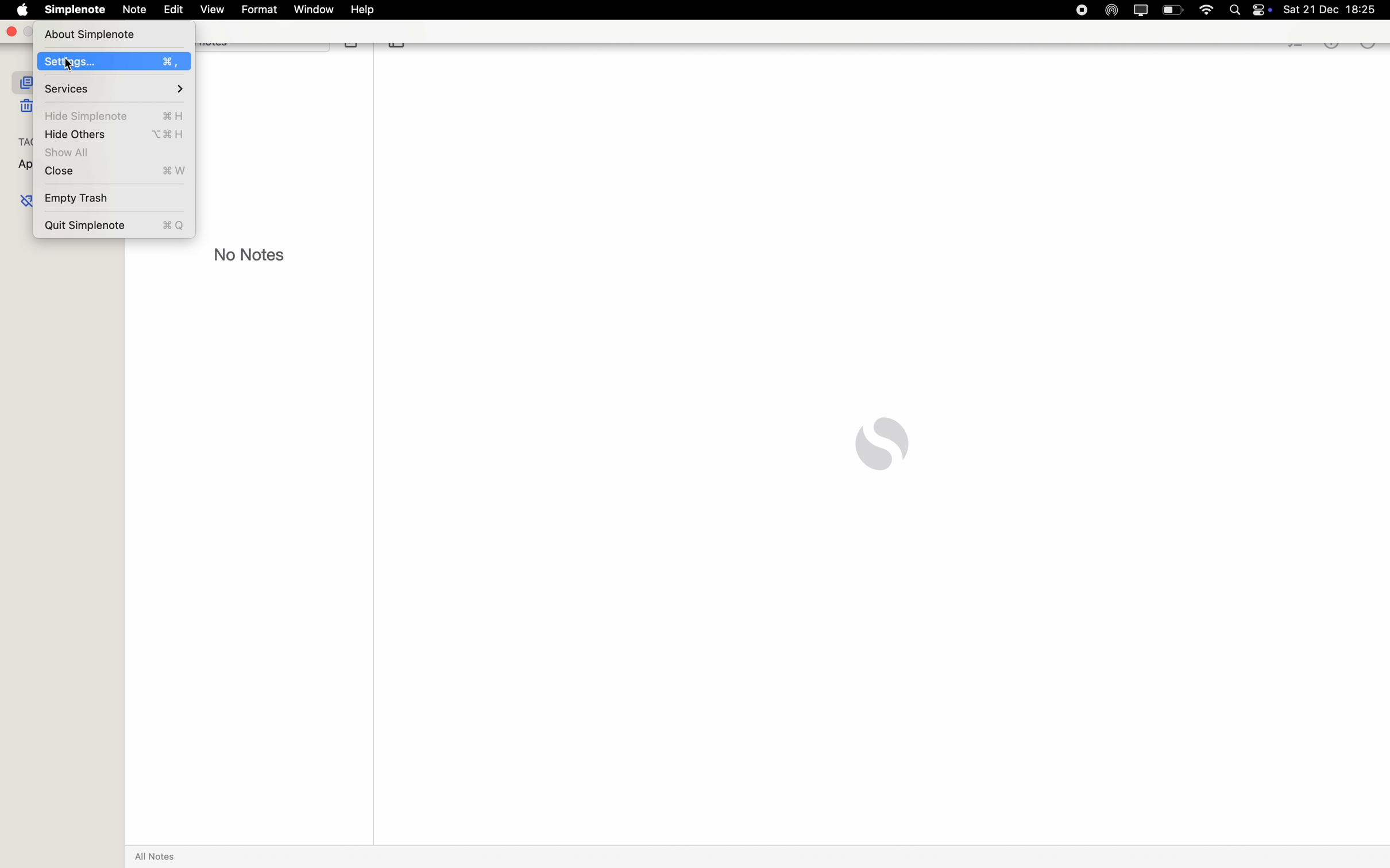 The height and width of the screenshot is (868, 1390). Describe the element at coordinates (117, 114) in the screenshot. I see `hide Simplenote` at that location.